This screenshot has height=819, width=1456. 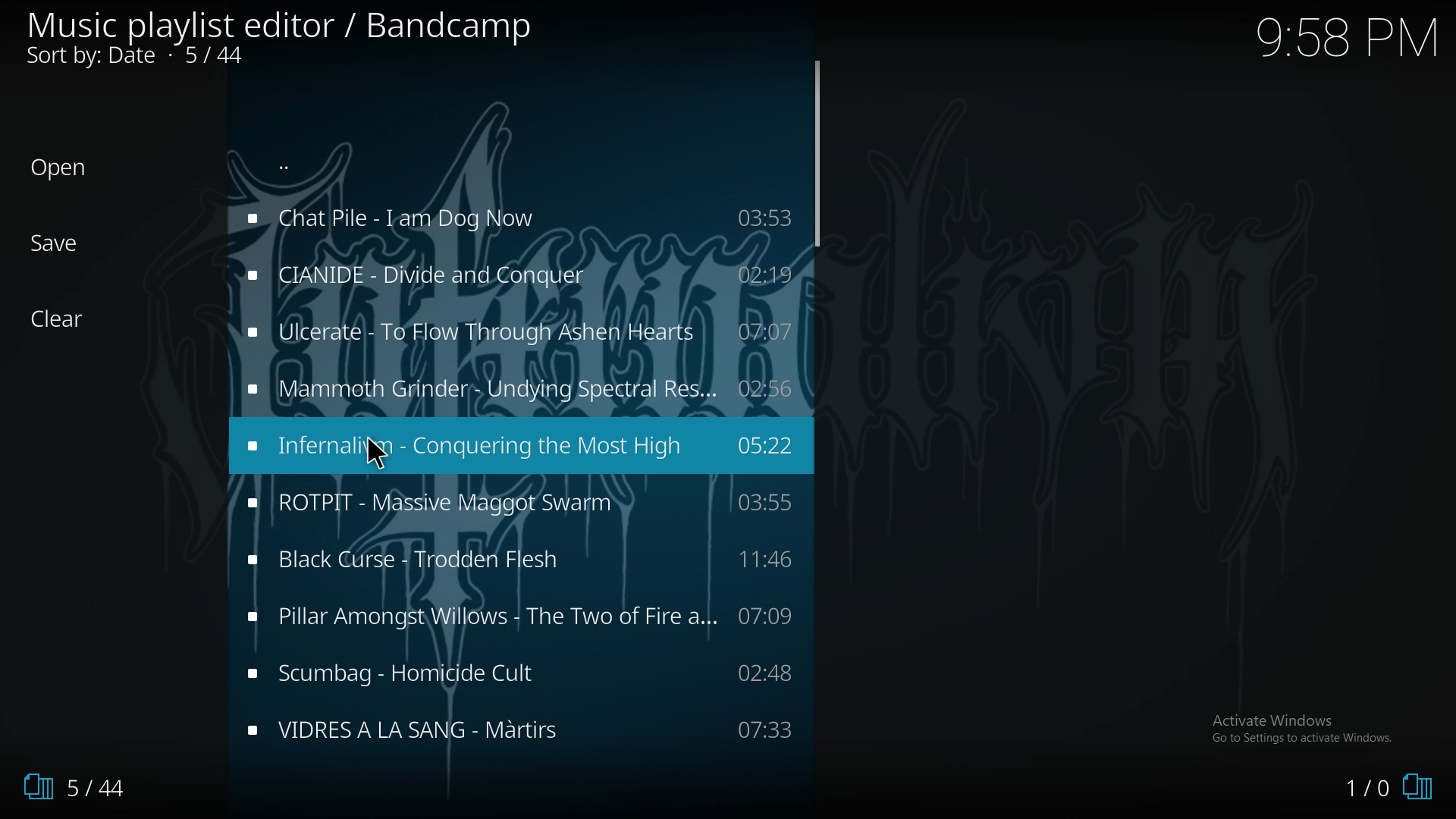 I want to click on music, so click(x=521, y=673).